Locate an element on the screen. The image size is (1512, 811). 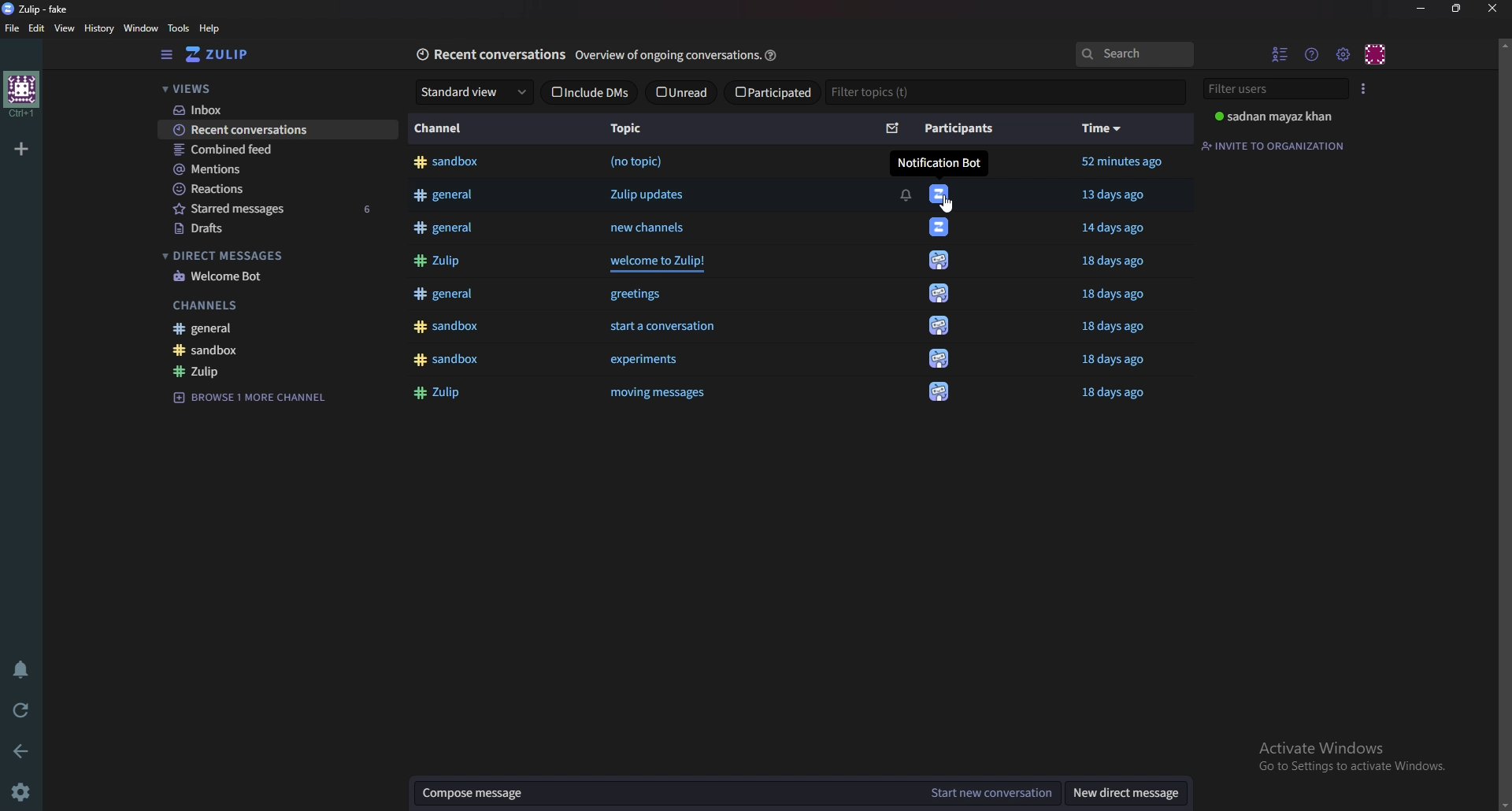
18 days ago is located at coordinates (1110, 361).